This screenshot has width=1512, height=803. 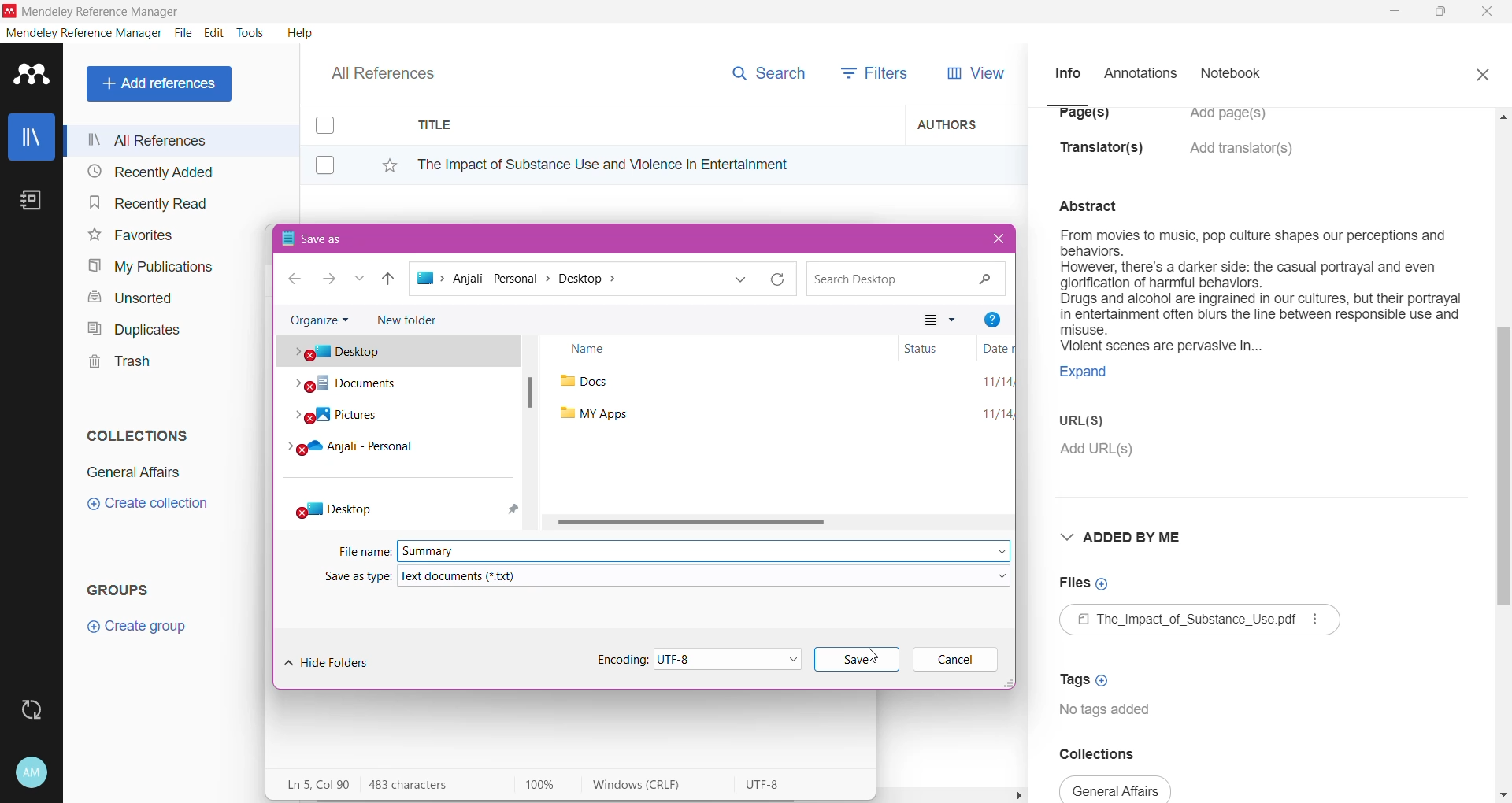 I want to click on Notebook, so click(x=1236, y=75).